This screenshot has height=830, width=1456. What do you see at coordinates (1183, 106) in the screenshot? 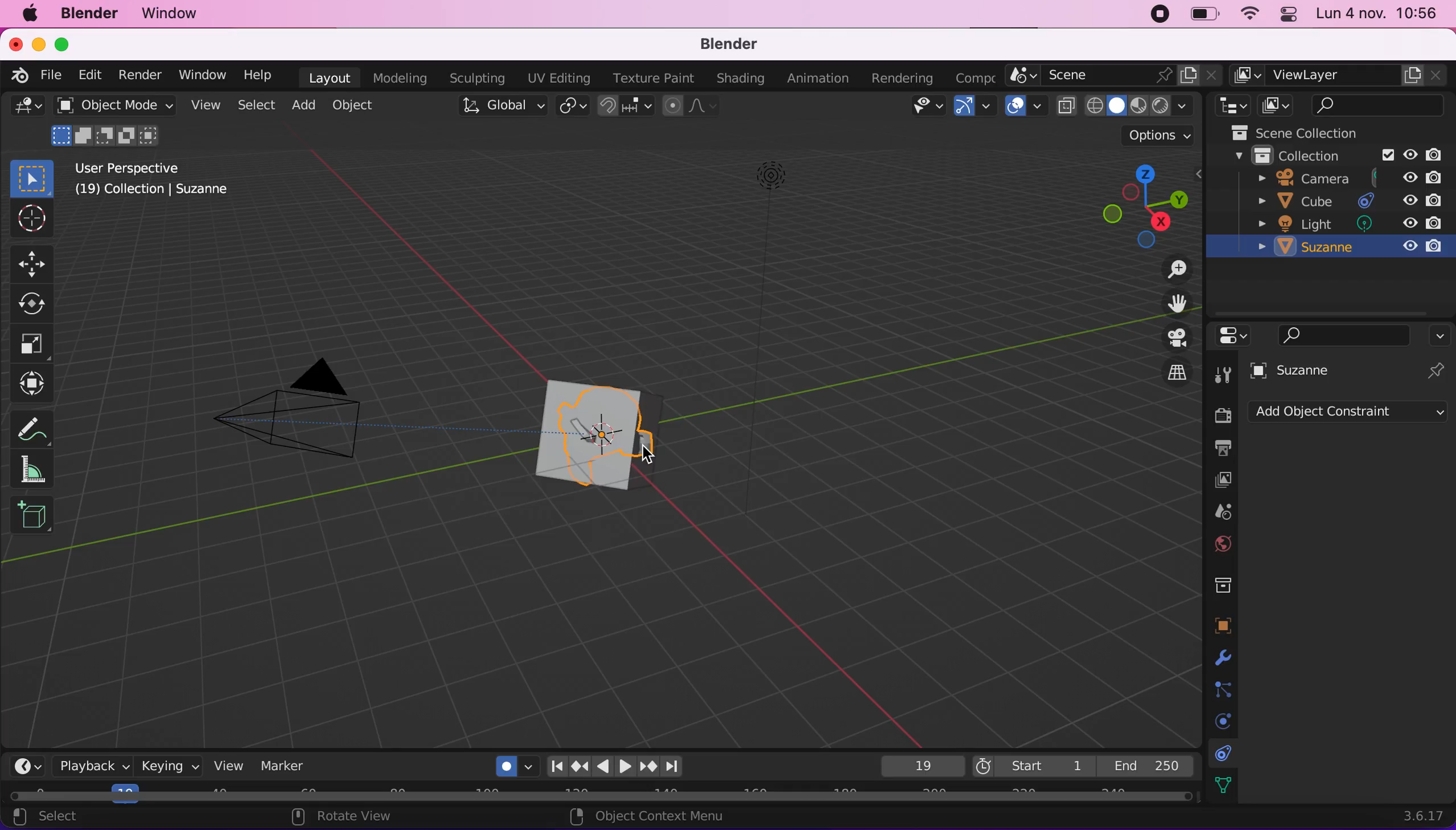
I see `shading` at bounding box center [1183, 106].